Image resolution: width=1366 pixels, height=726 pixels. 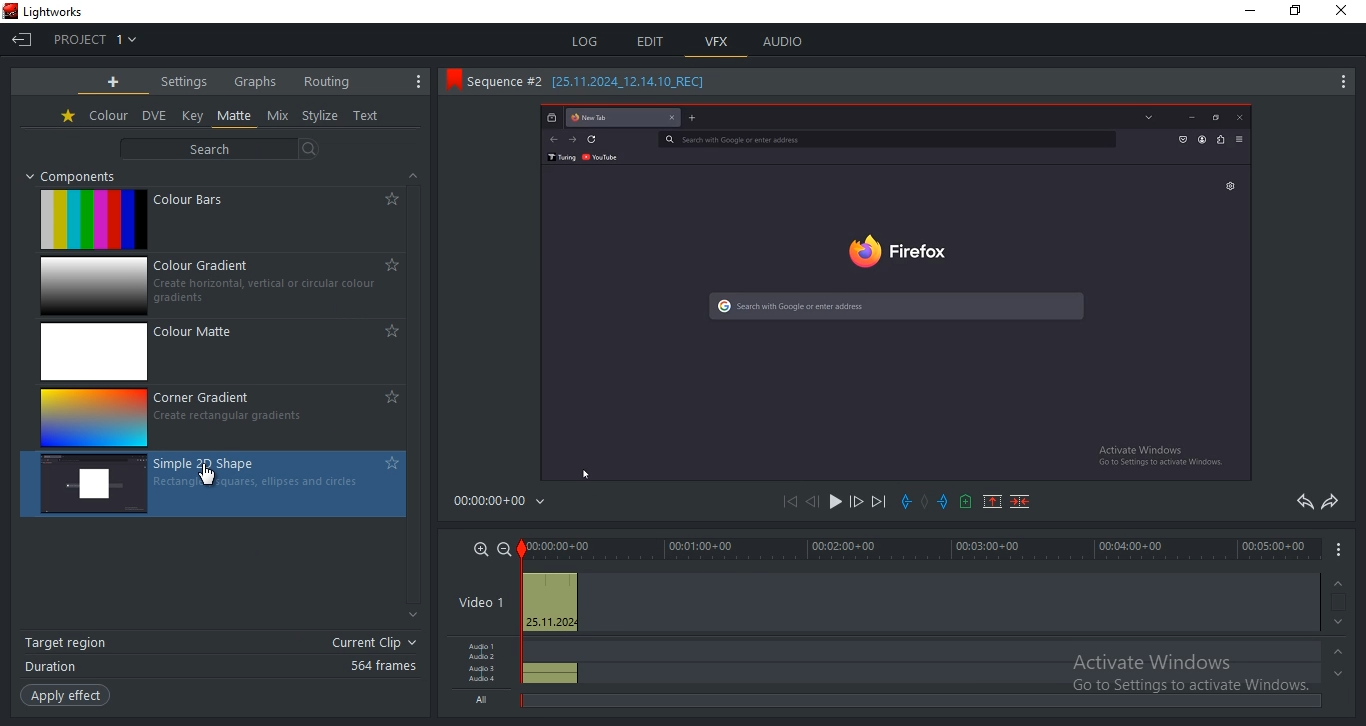 What do you see at coordinates (505, 548) in the screenshot?
I see `zoom out` at bounding box center [505, 548].